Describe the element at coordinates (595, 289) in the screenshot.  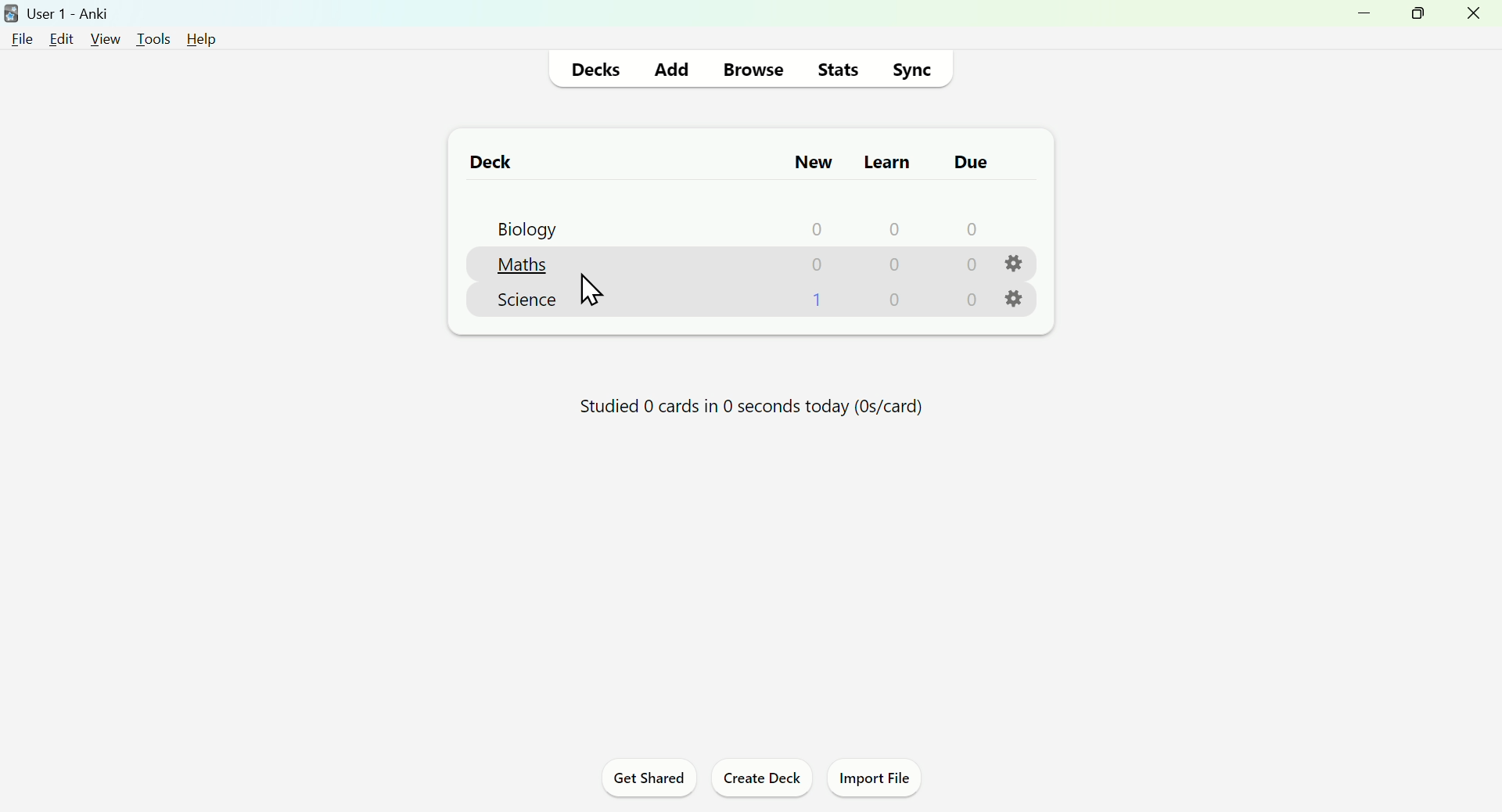
I see `Cursor` at that location.